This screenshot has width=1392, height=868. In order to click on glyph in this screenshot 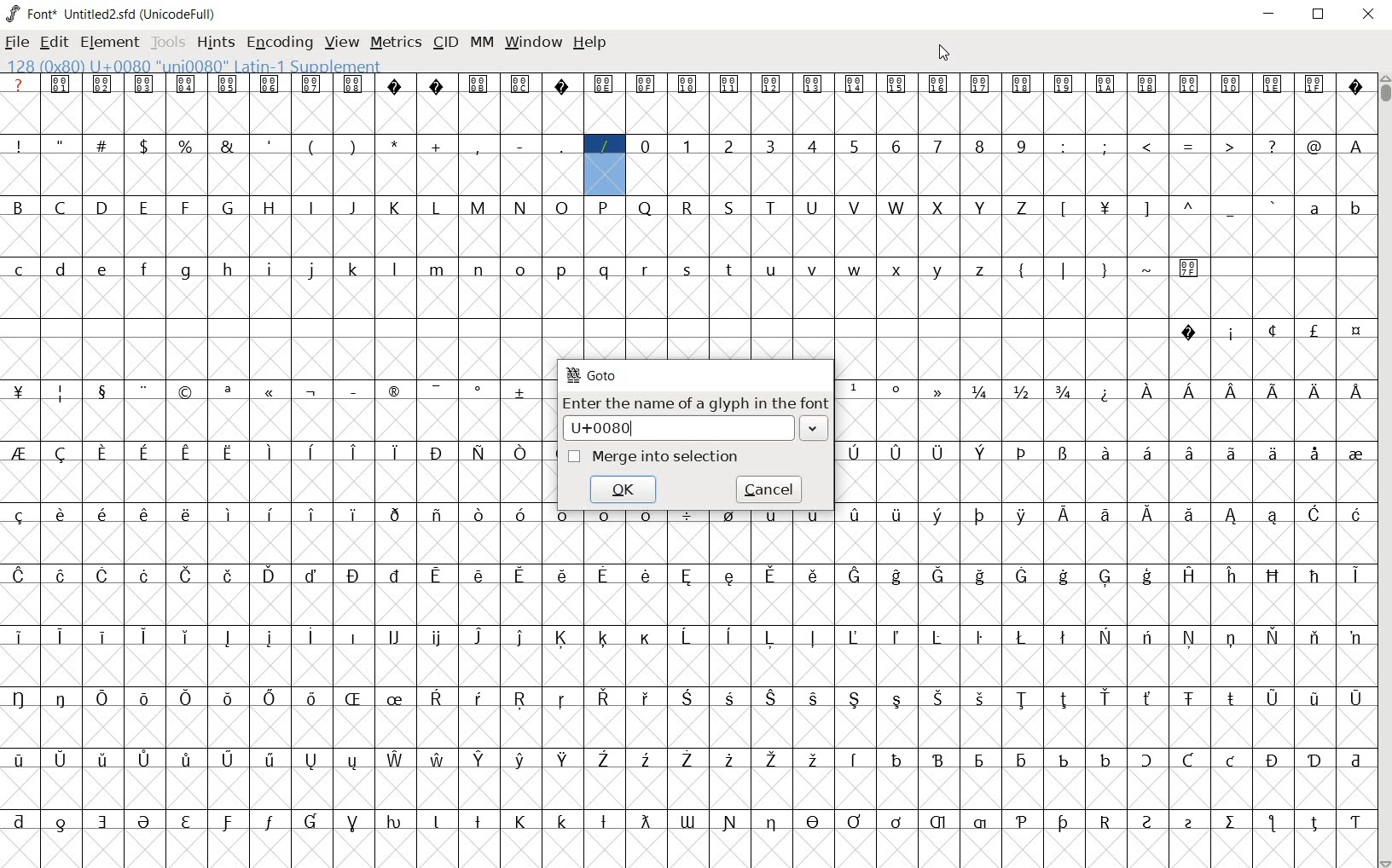, I will do `click(435, 391)`.